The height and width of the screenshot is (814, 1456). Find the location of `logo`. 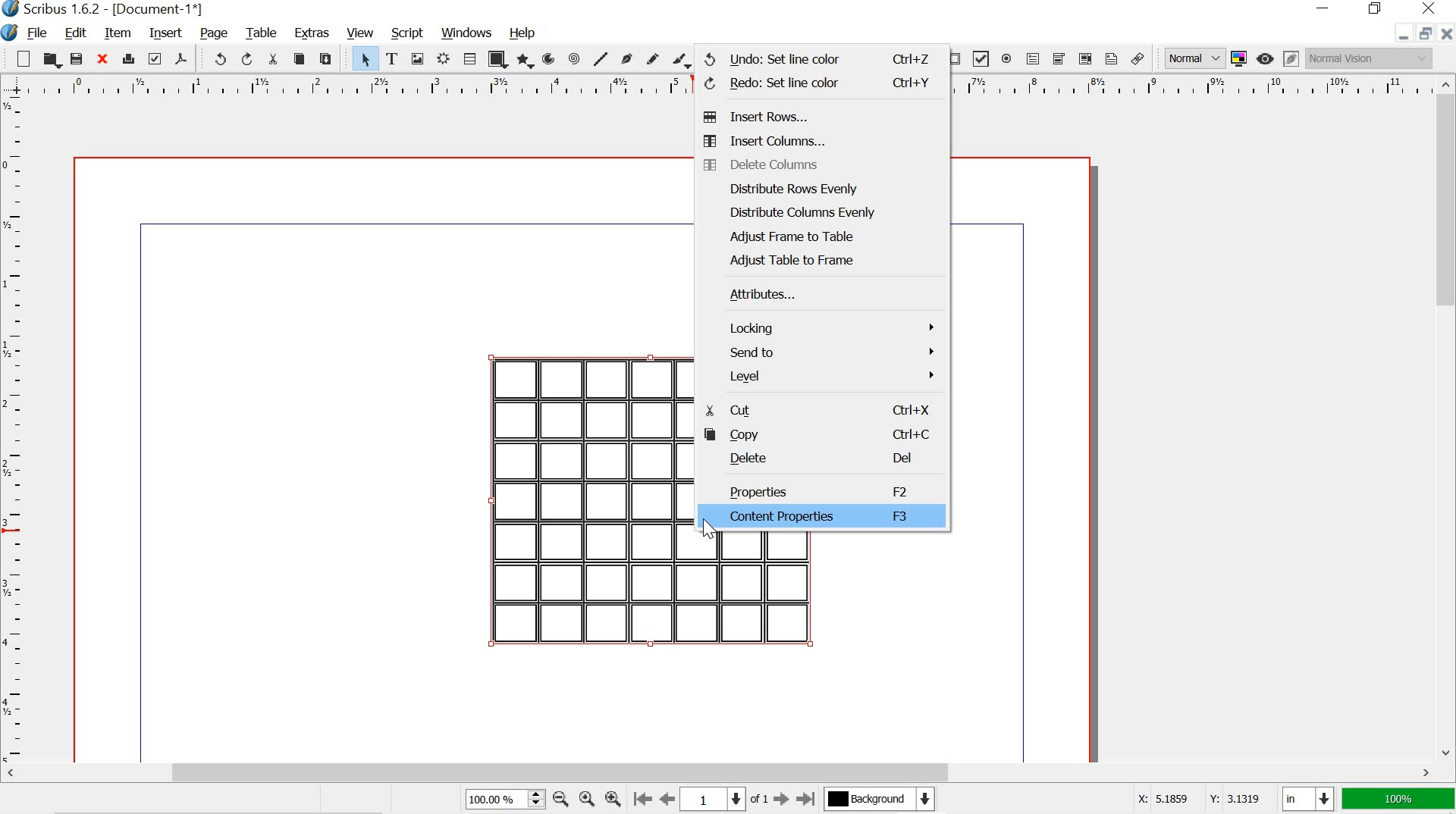

logo is located at coordinates (8, 33).